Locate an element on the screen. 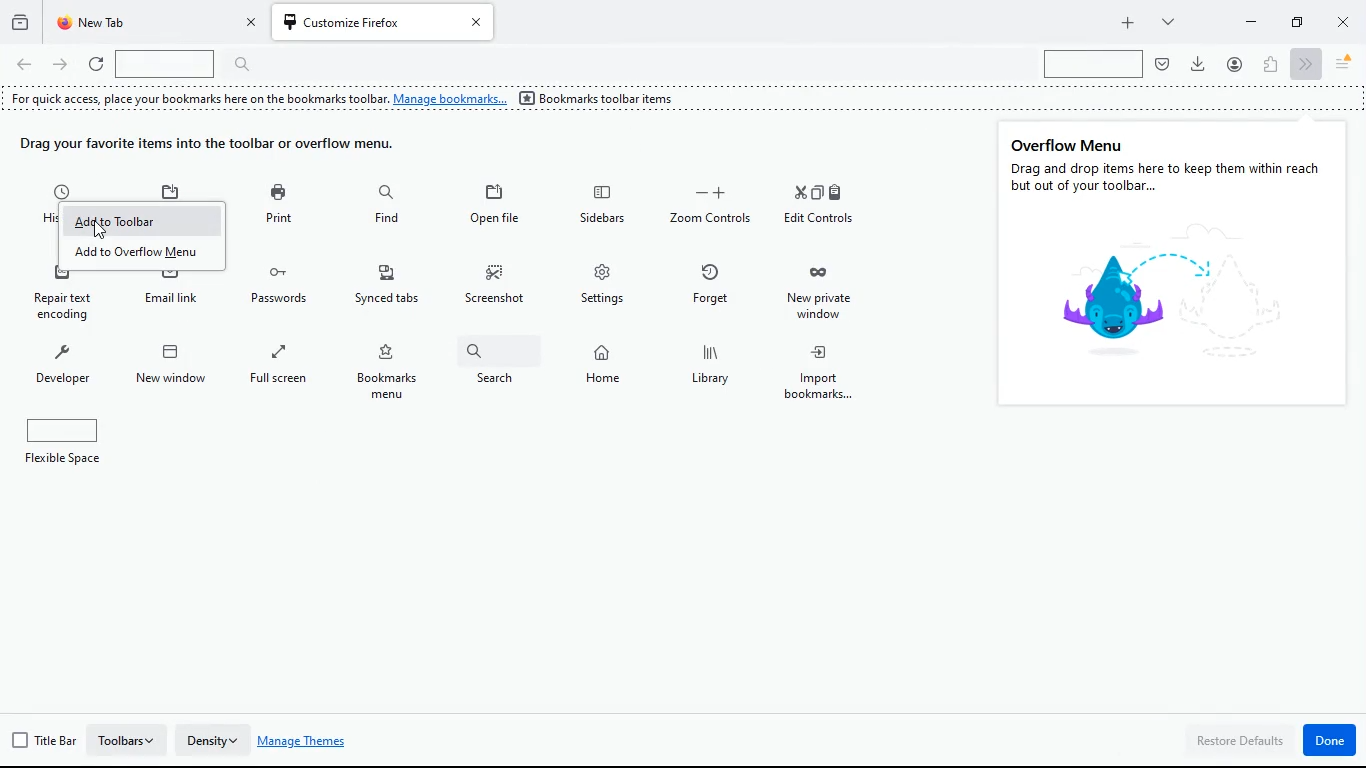  maximize is located at coordinates (1294, 21).